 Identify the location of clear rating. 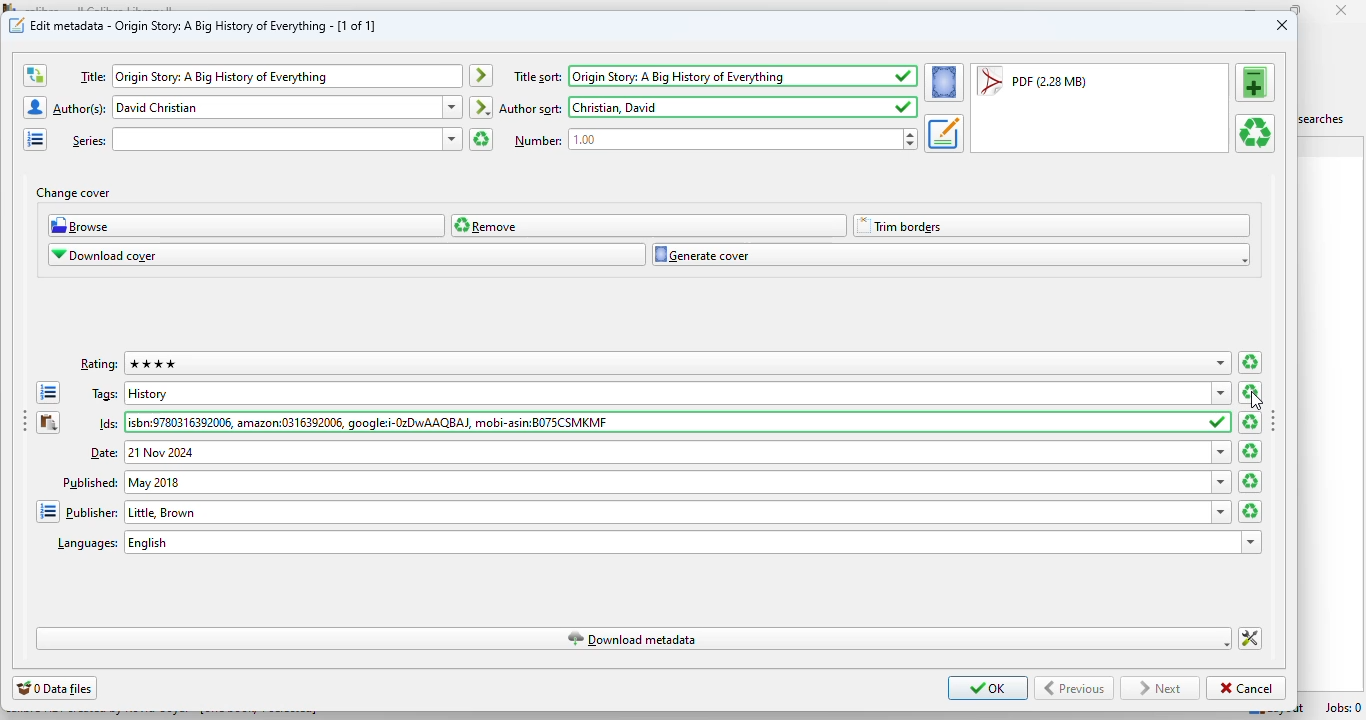
(1250, 362).